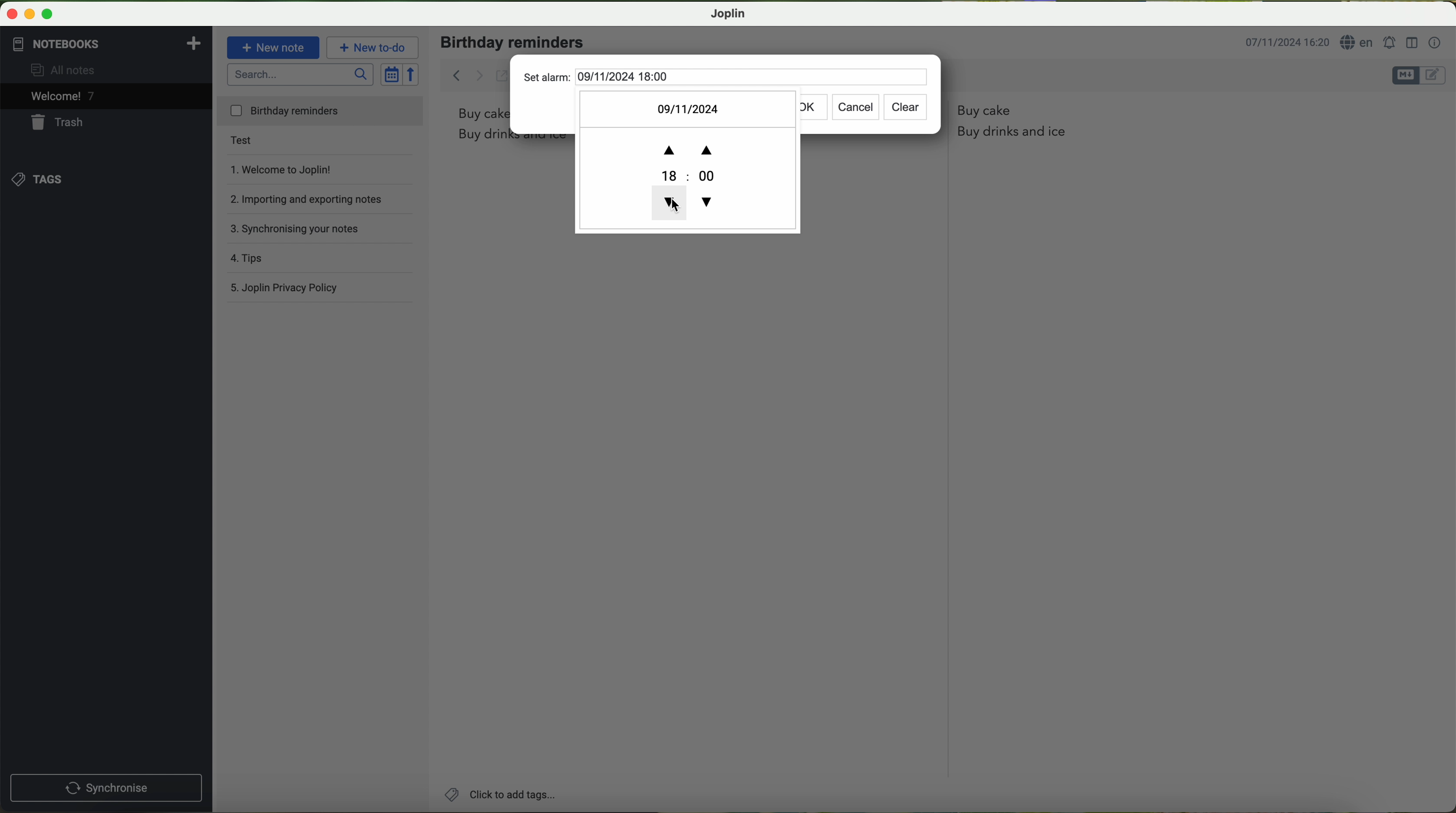 This screenshot has width=1456, height=813. What do you see at coordinates (728, 15) in the screenshot?
I see `Joplin` at bounding box center [728, 15].